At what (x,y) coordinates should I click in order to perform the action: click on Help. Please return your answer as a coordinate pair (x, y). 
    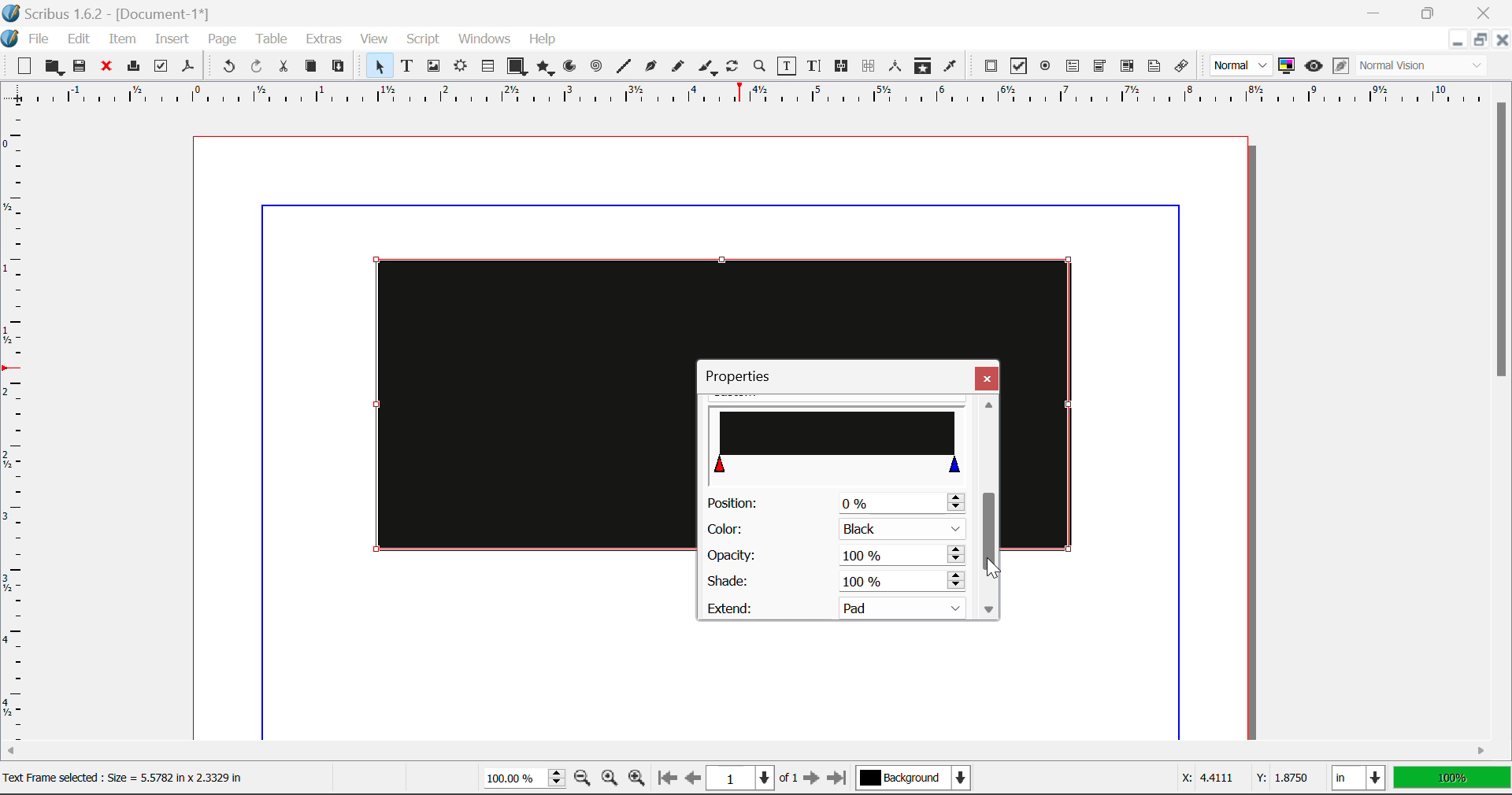
    Looking at the image, I should click on (543, 39).